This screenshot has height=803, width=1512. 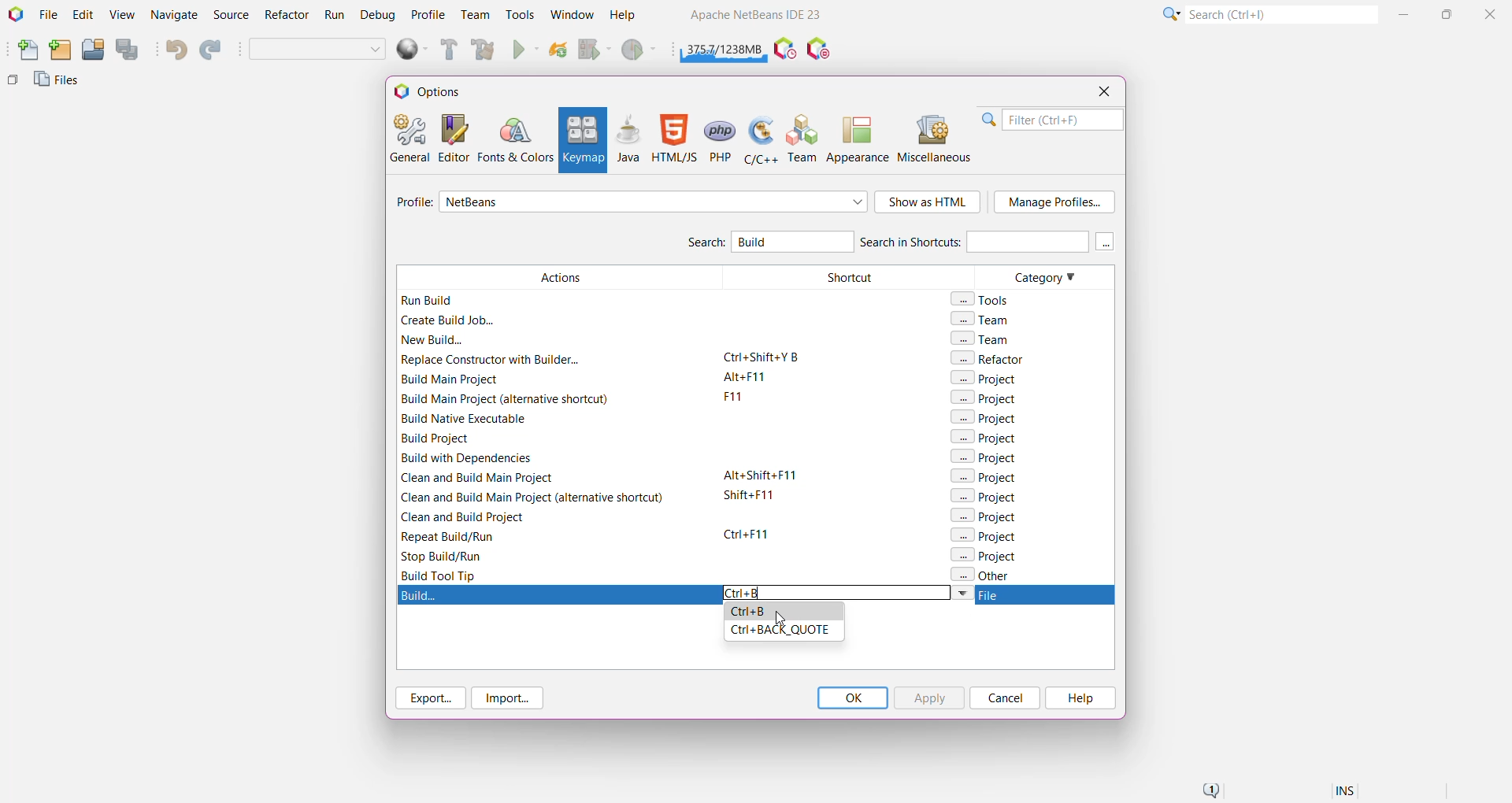 I want to click on Show as HTML, so click(x=928, y=203).